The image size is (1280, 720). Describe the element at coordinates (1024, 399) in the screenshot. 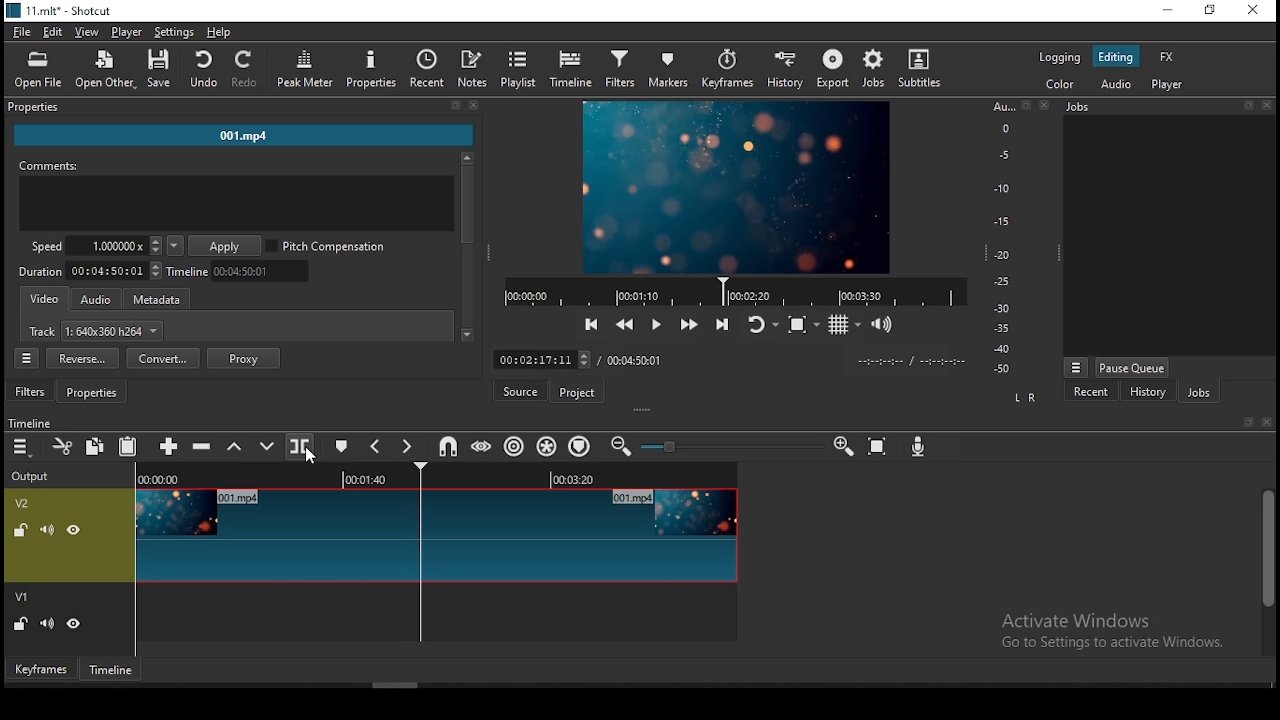

I see `L R` at that location.